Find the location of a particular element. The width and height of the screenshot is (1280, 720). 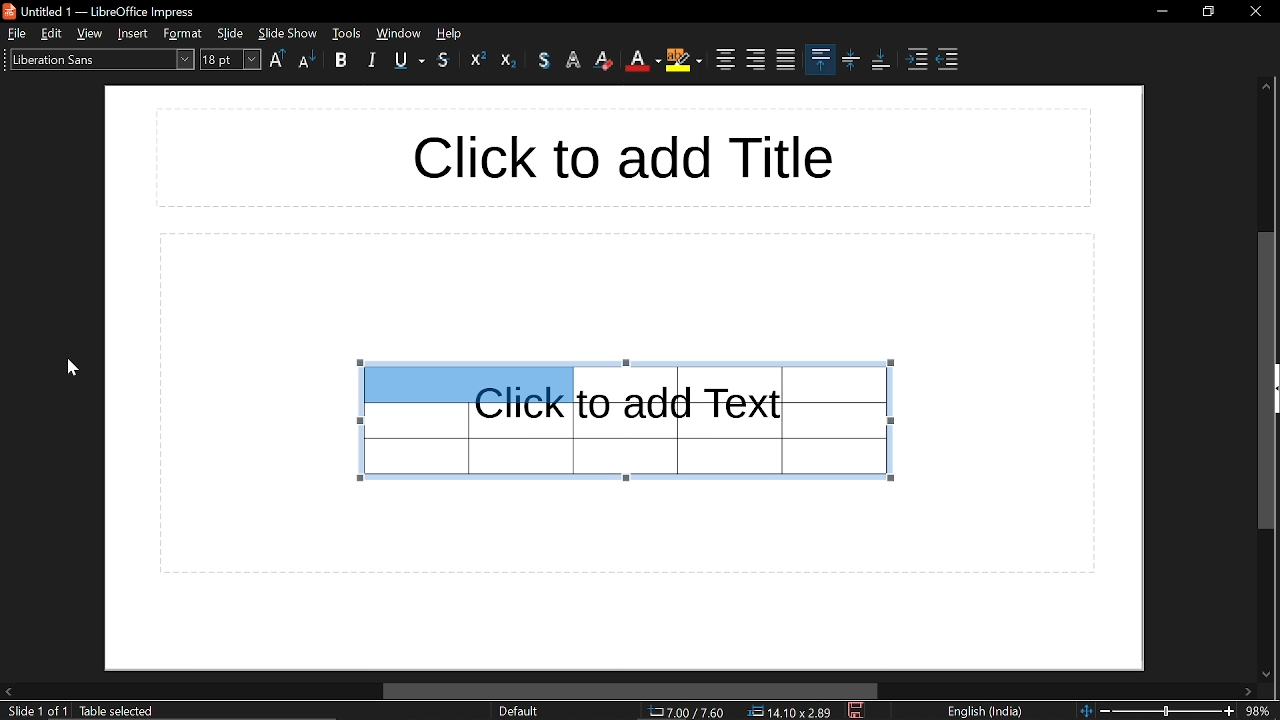

align bottom is located at coordinates (880, 60).